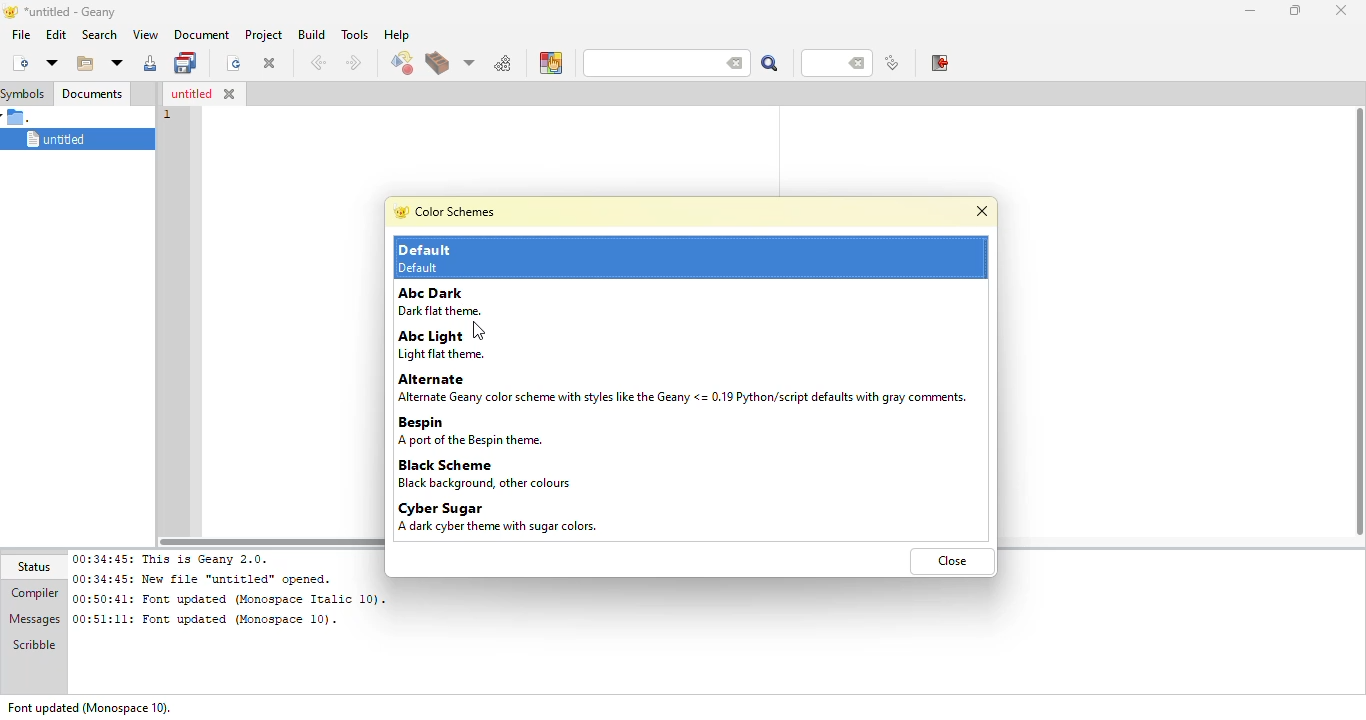  I want to click on run, so click(503, 63).